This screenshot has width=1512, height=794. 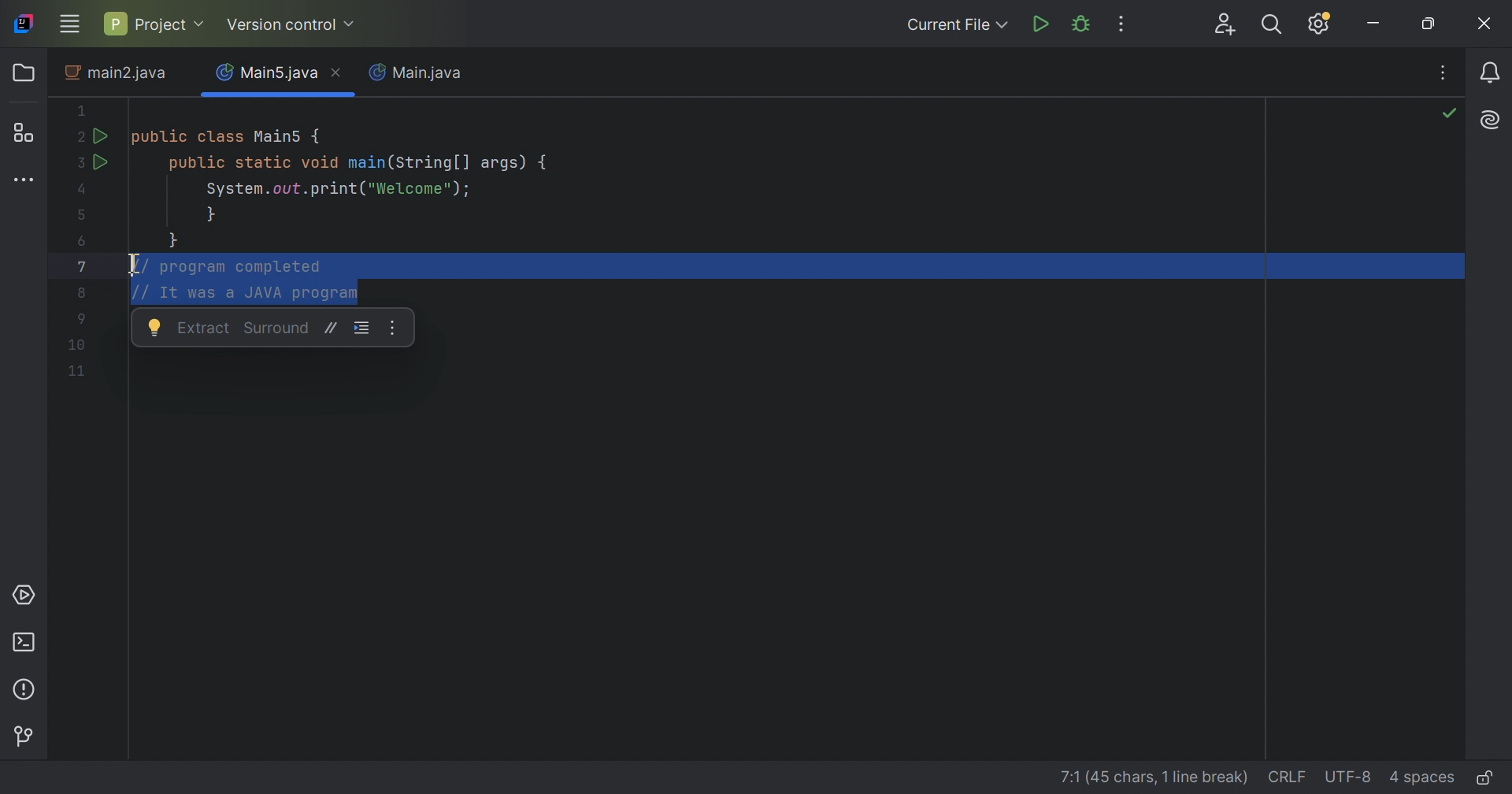 I want to click on Problems, so click(x=26, y=688).